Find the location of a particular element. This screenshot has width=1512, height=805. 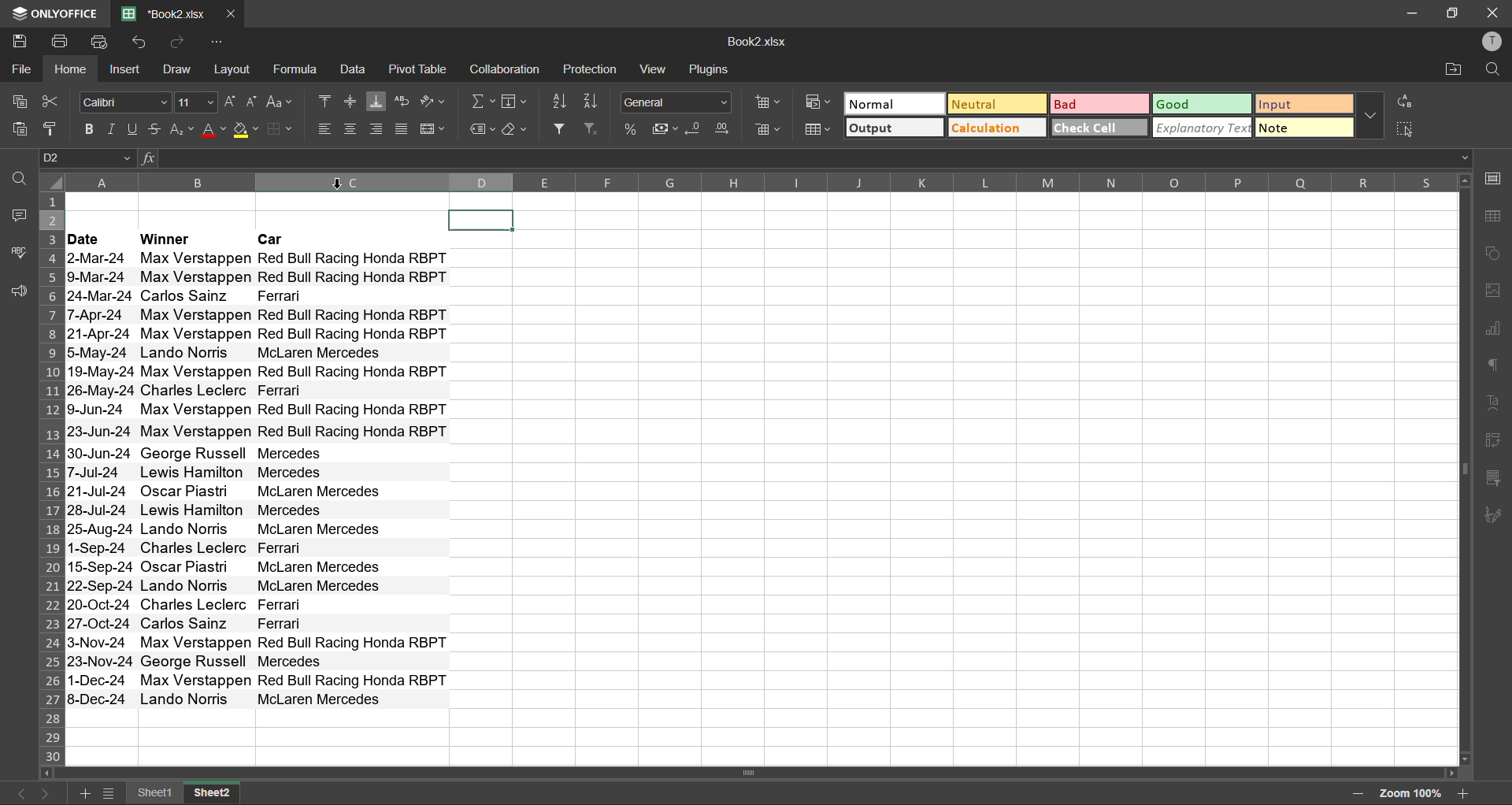

vertical scroll bar is located at coordinates (1462, 350).